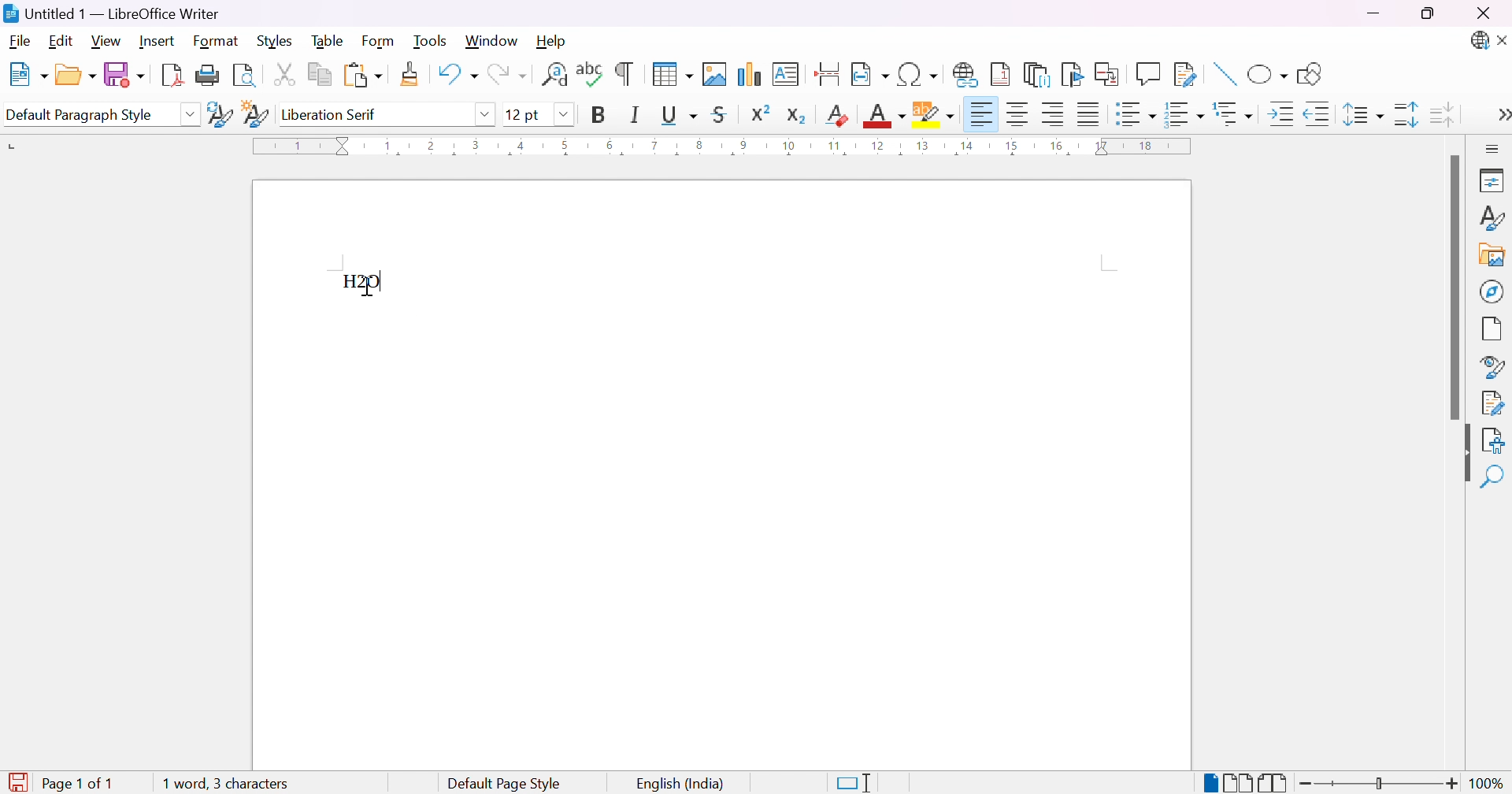 The image size is (1512, 794). Describe the element at coordinates (1273, 783) in the screenshot. I see `Book view` at that location.